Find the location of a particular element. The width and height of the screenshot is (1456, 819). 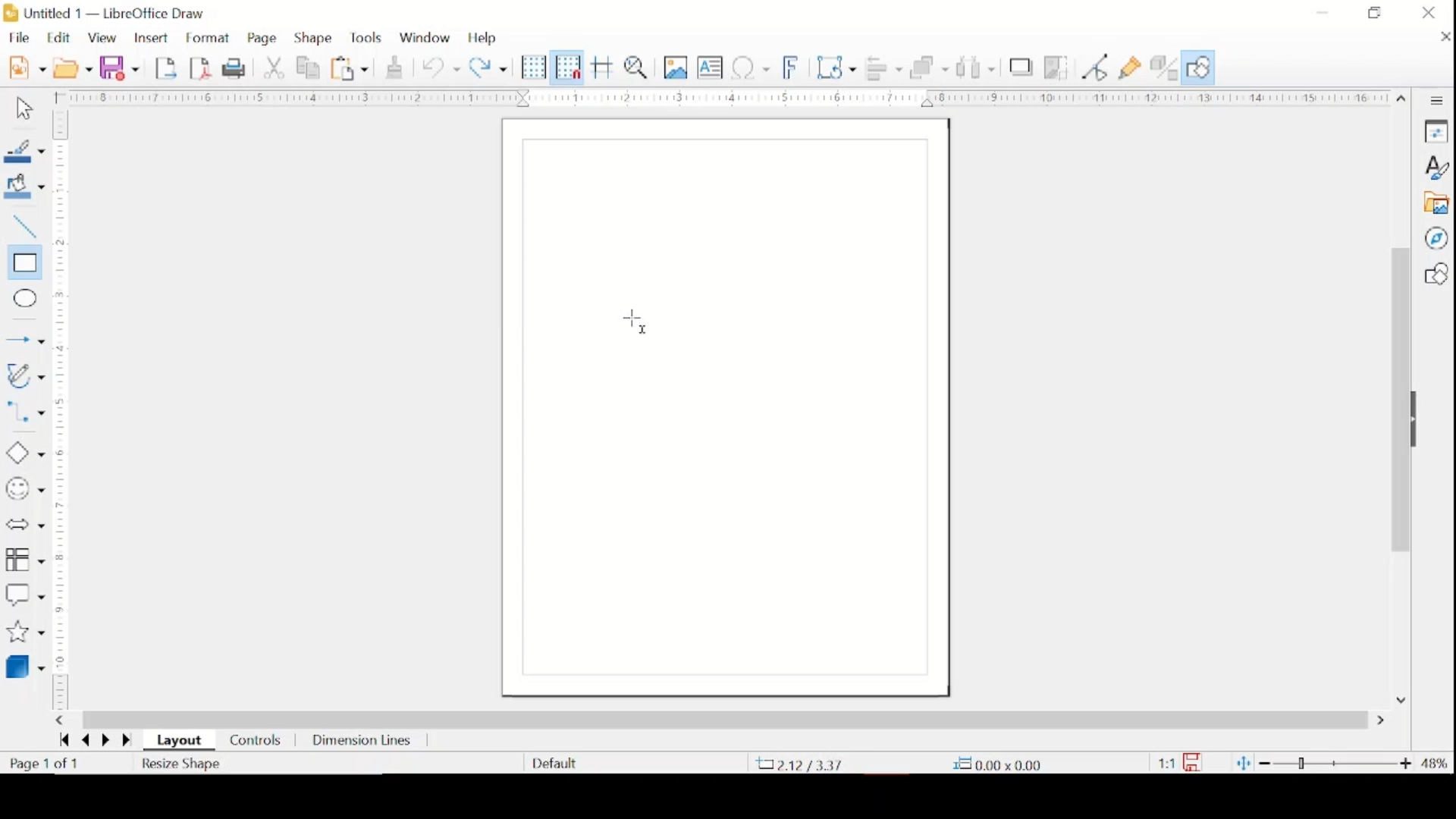

page 1 of 1 is located at coordinates (45, 764).